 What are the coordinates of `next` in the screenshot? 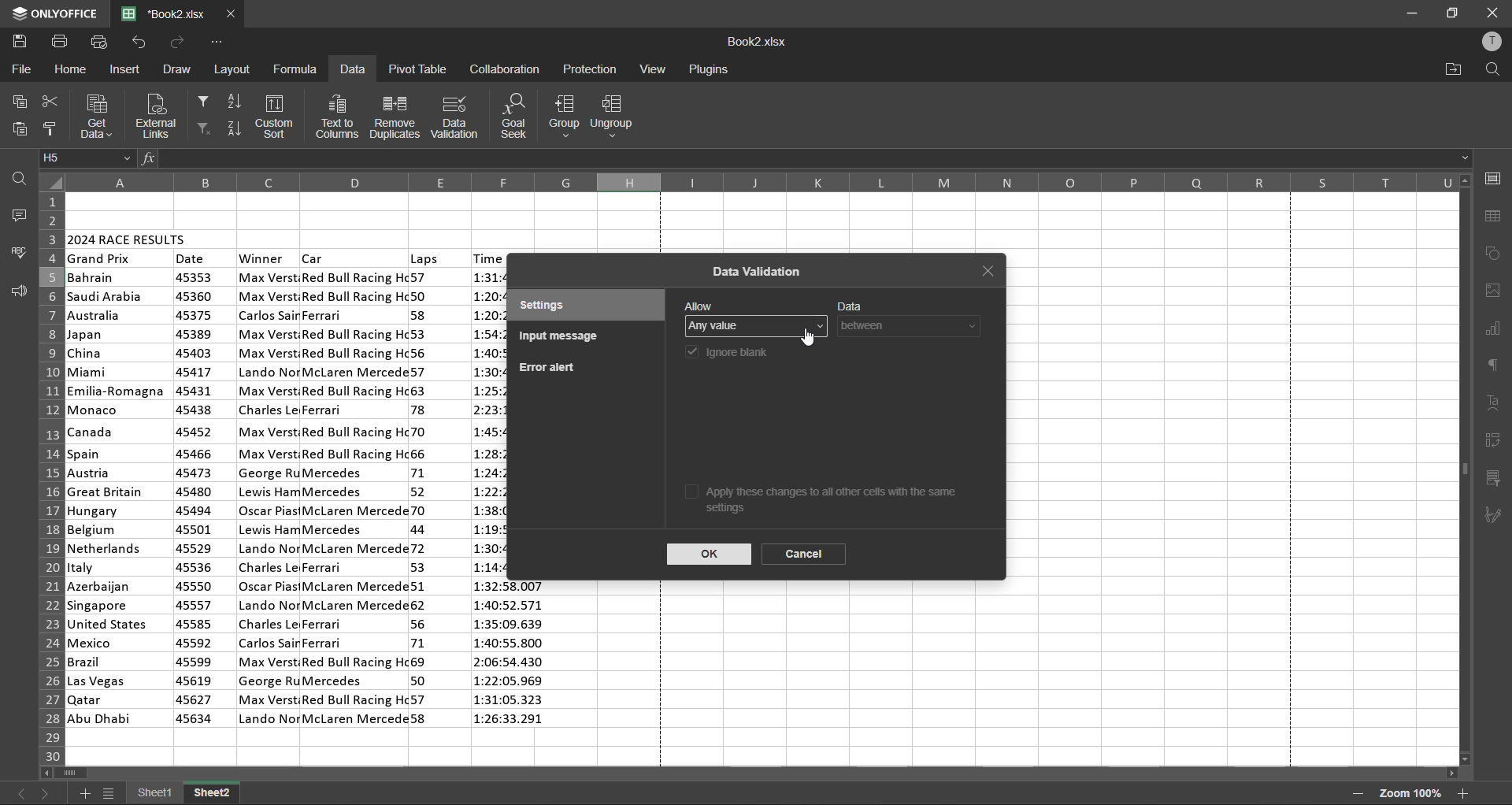 It's located at (46, 791).